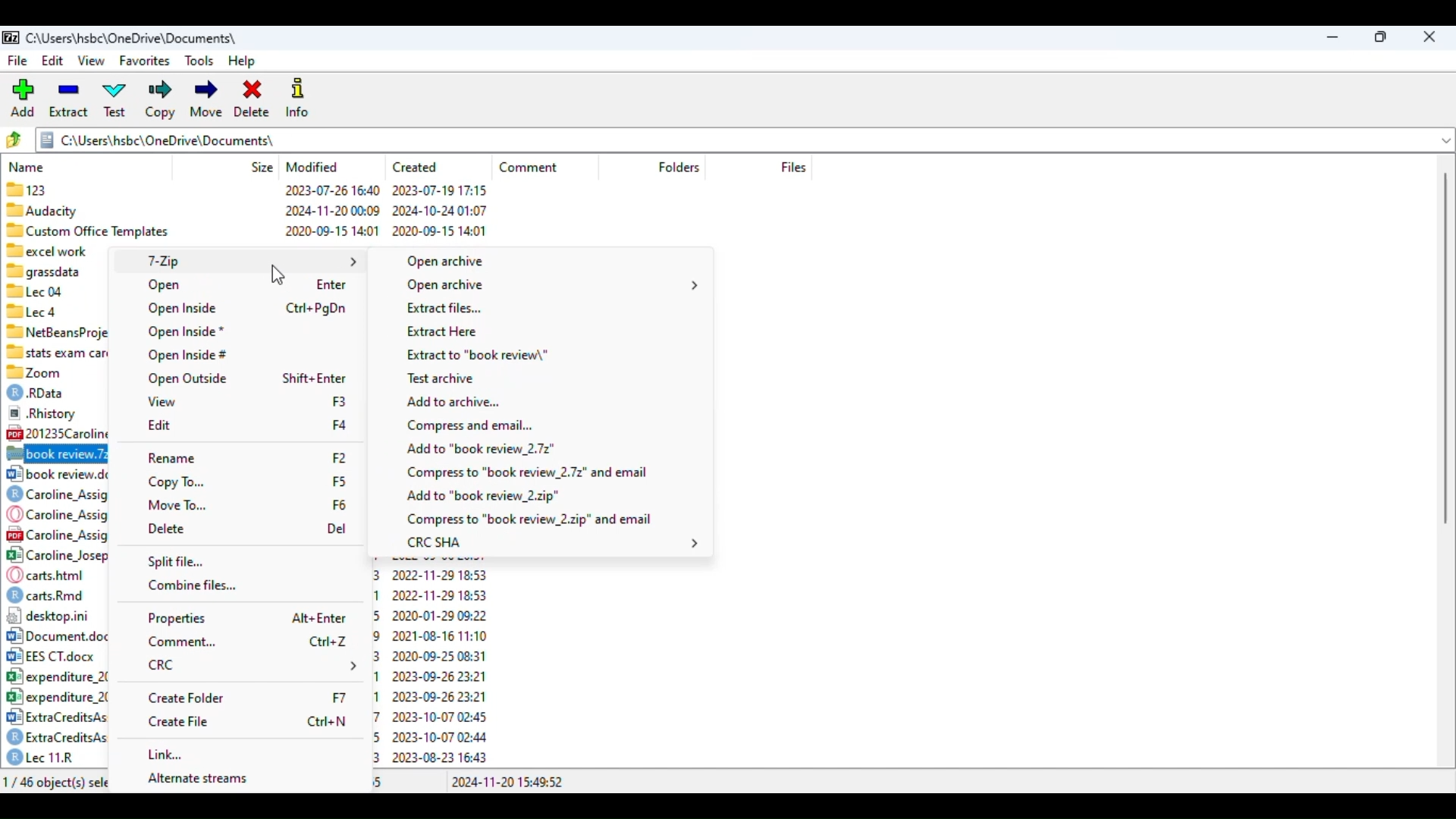 Image resolution: width=1456 pixels, height=819 pixels. Describe the element at coordinates (792, 166) in the screenshot. I see `files` at that location.